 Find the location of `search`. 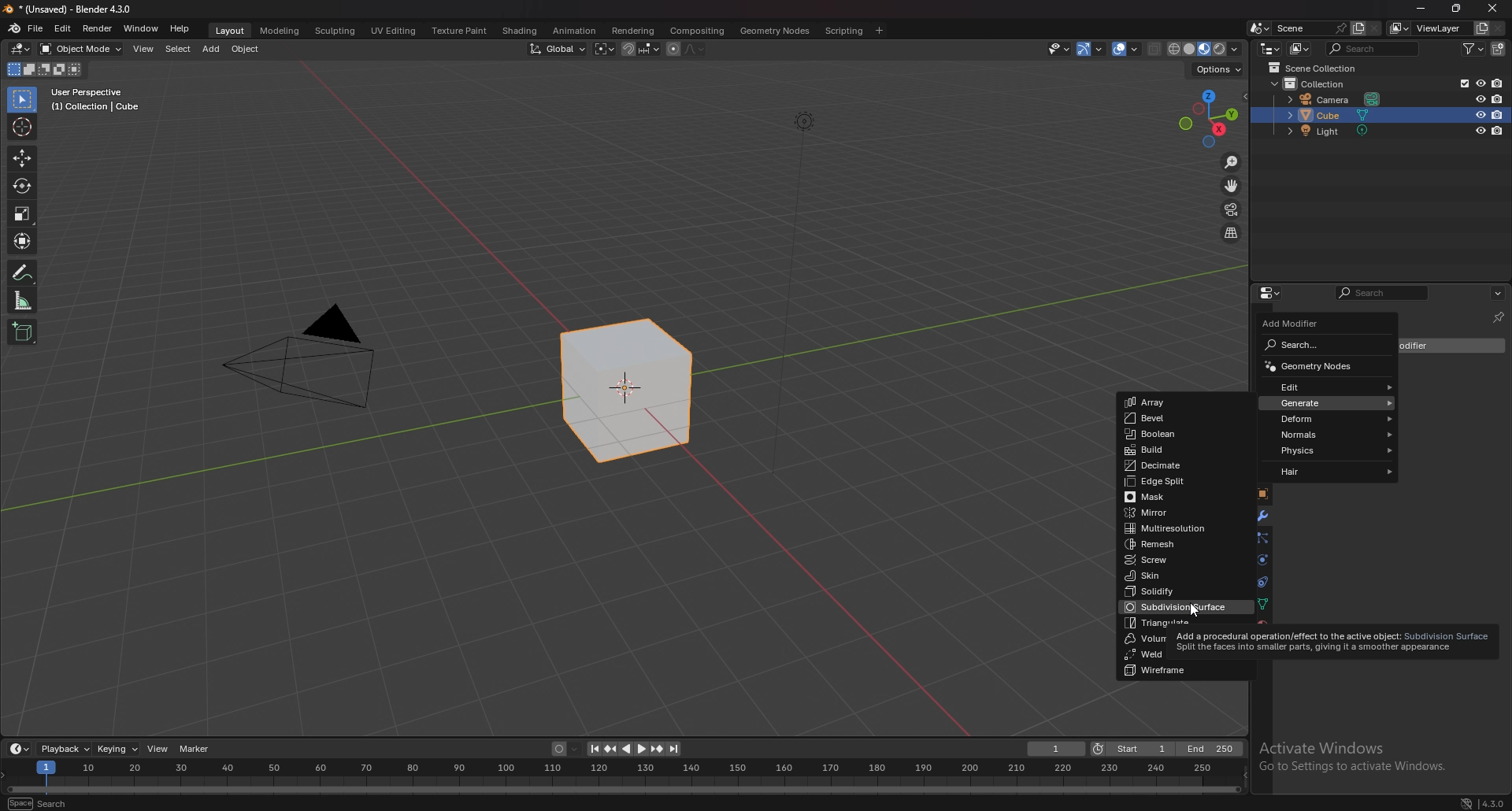

search is located at coordinates (1372, 49).